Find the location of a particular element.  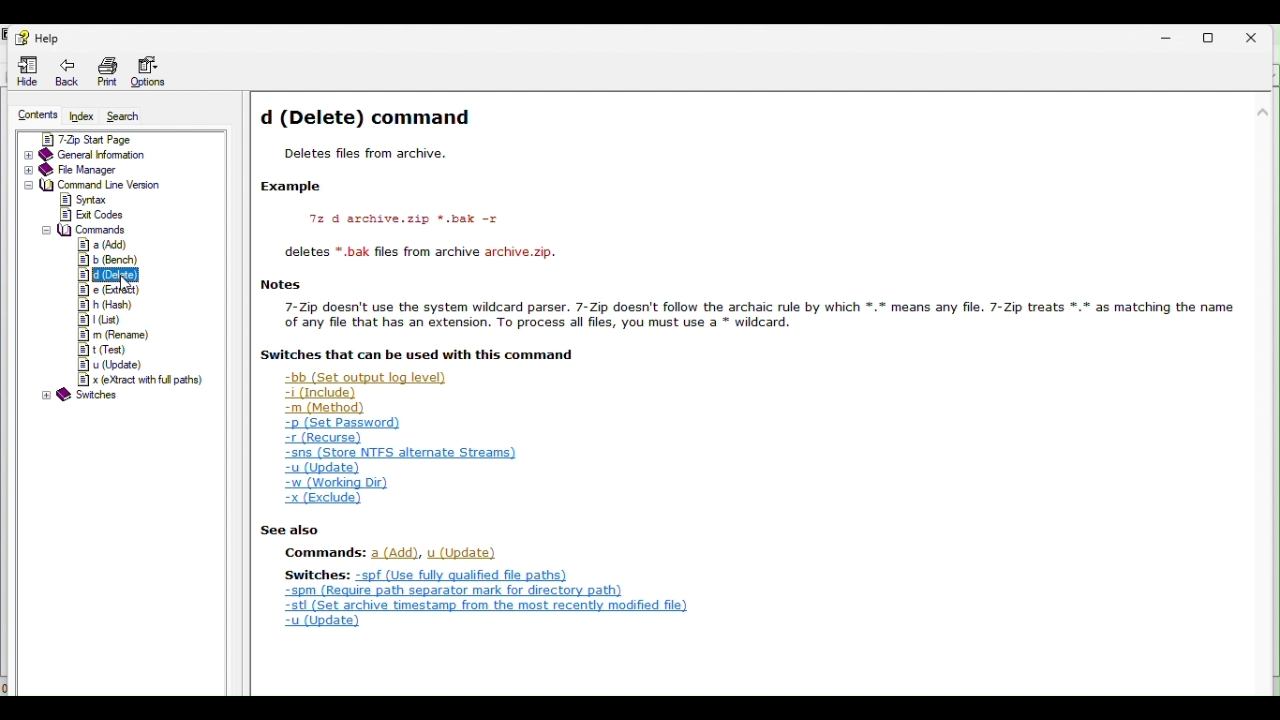

72 d archive.zip *.bak -r is located at coordinates (412, 221).